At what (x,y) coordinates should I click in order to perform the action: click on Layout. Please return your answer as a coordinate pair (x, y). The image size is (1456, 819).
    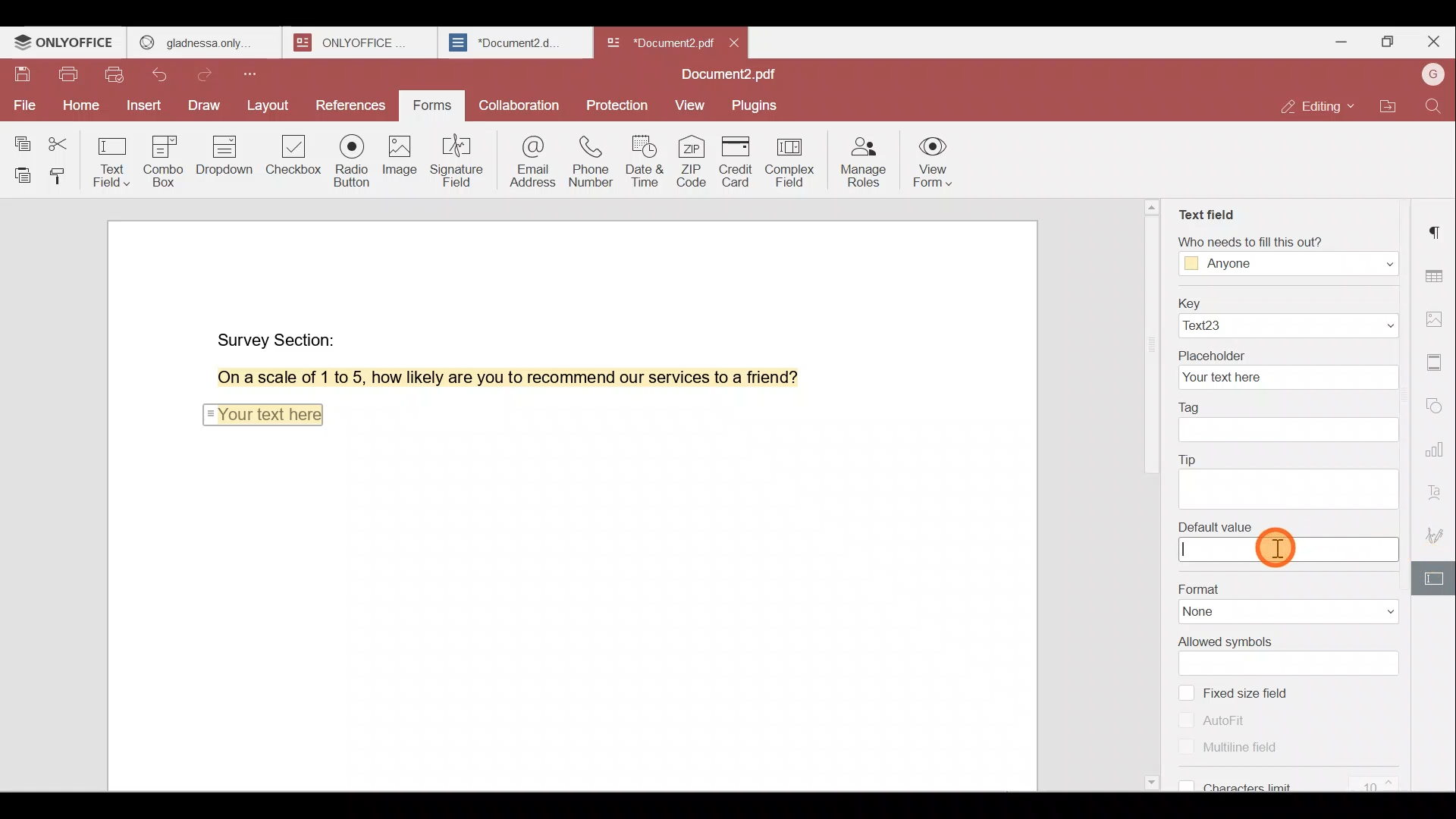
    Looking at the image, I should click on (268, 106).